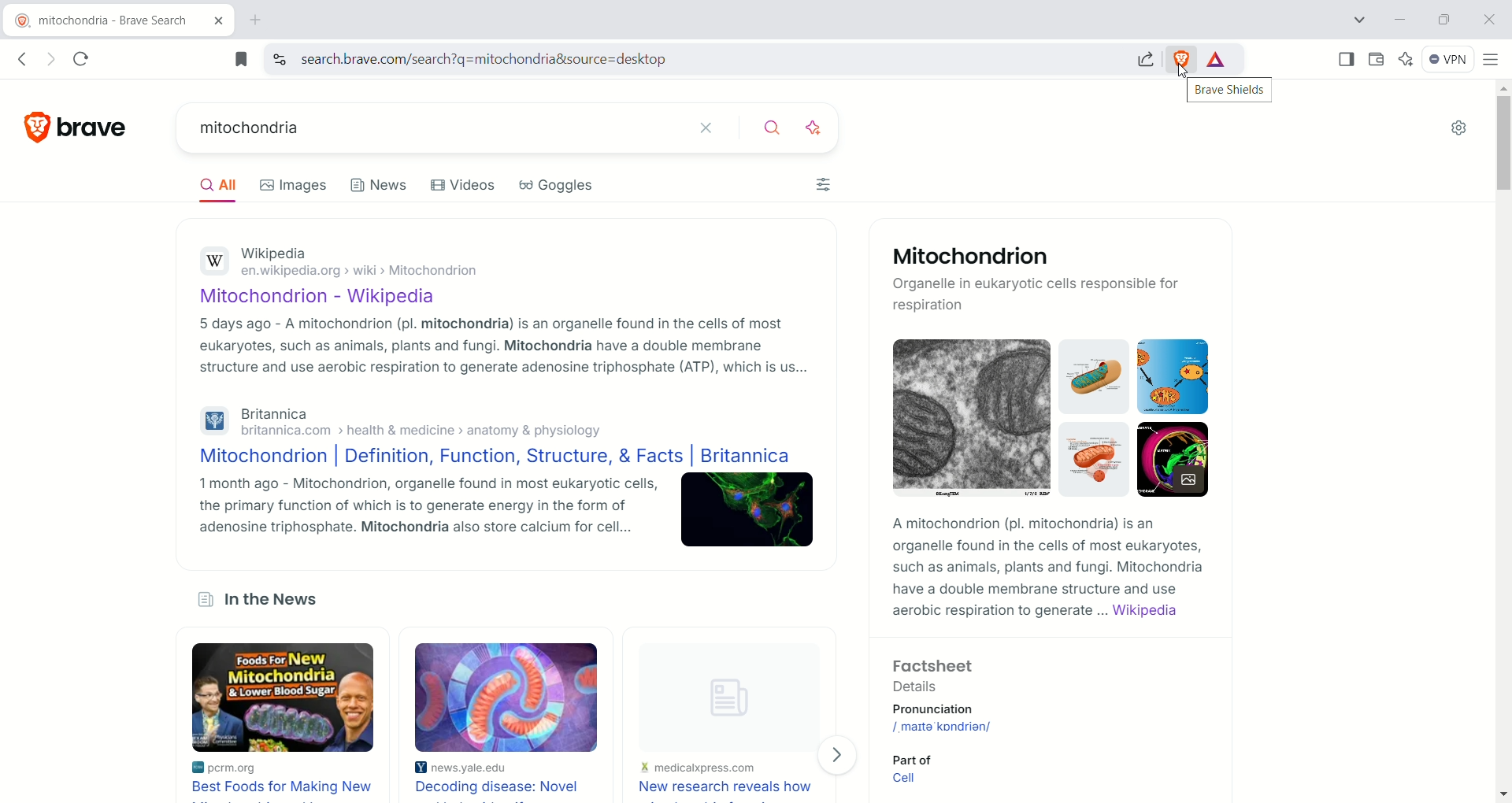 The height and width of the screenshot is (803, 1512). What do you see at coordinates (973, 257) in the screenshot?
I see `Mitochondrion` at bounding box center [973, 257].